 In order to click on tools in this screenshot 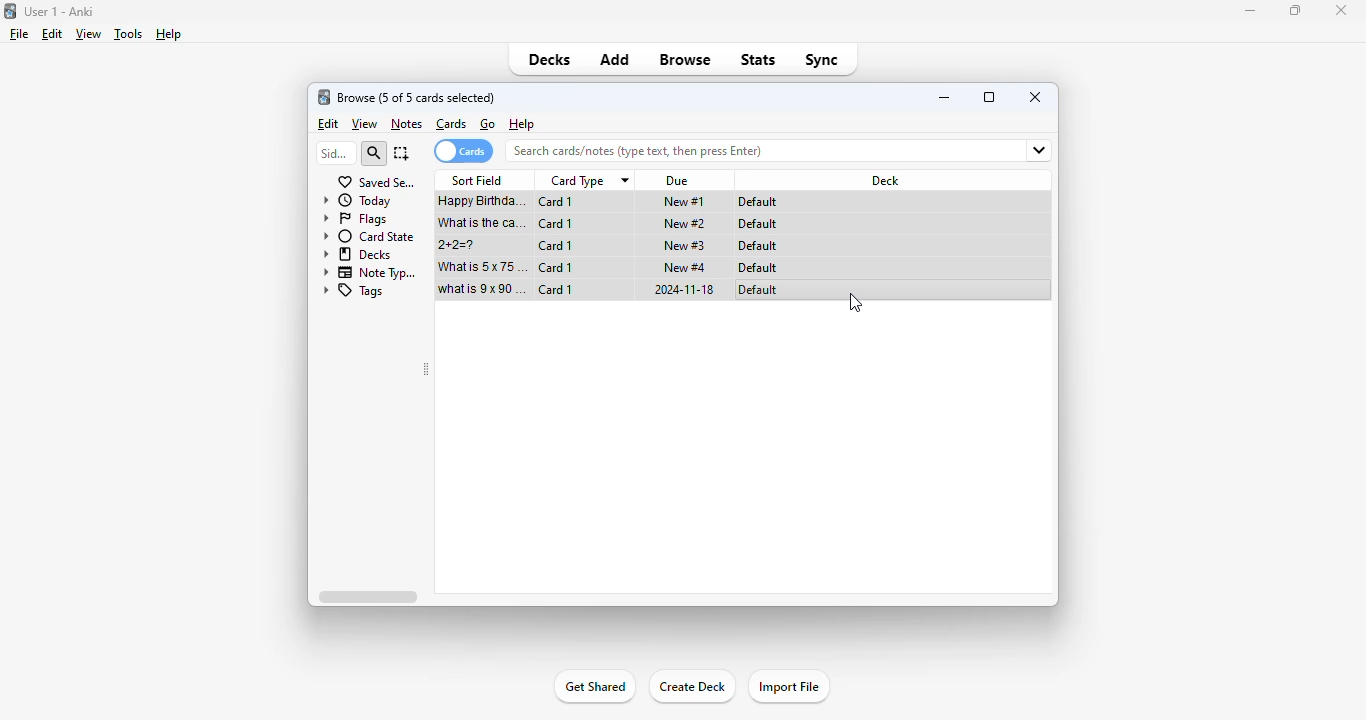, I will do `click(128, 35)`.